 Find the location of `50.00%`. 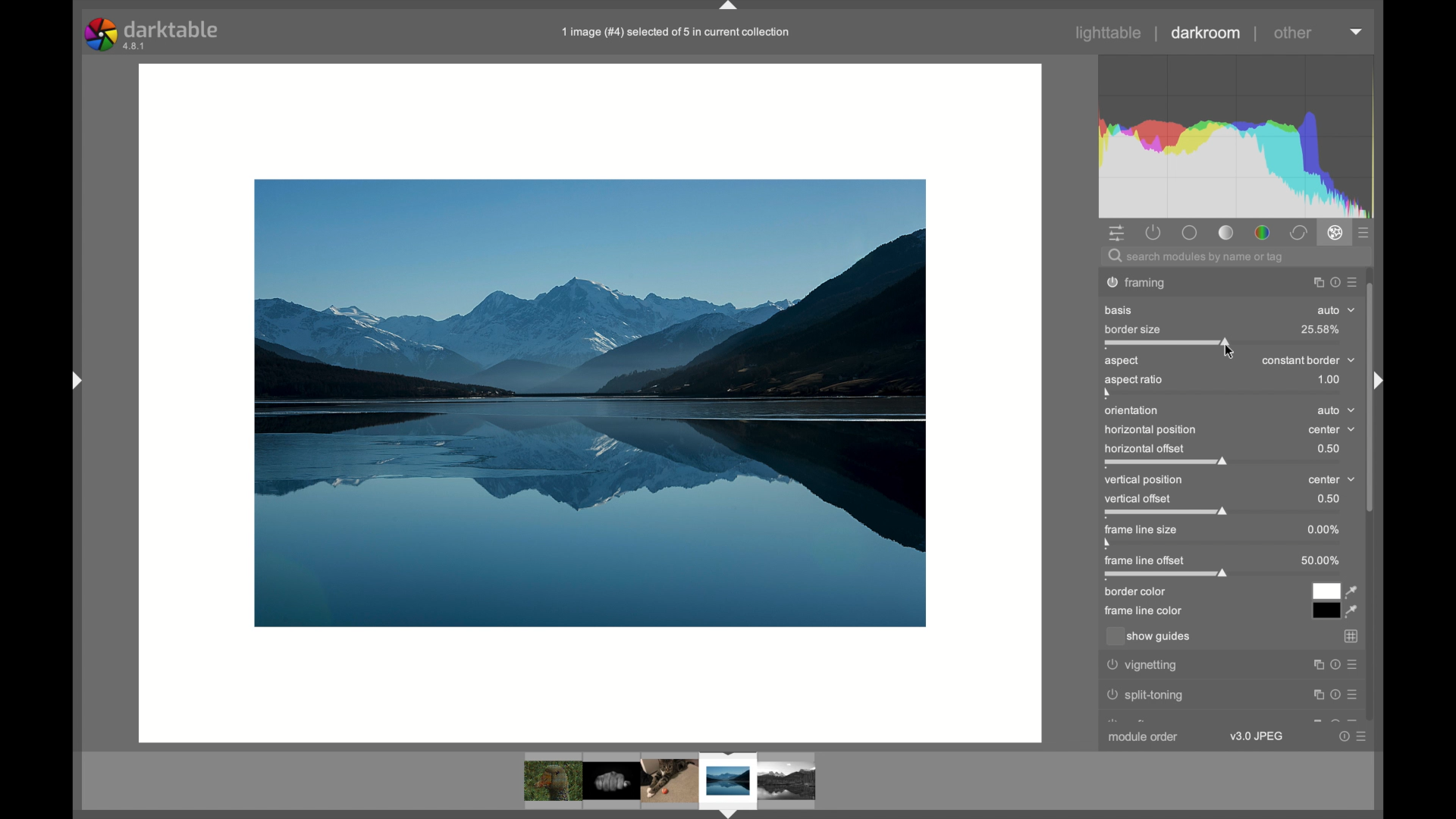

50.00% is located at coordinates (1321, 560).